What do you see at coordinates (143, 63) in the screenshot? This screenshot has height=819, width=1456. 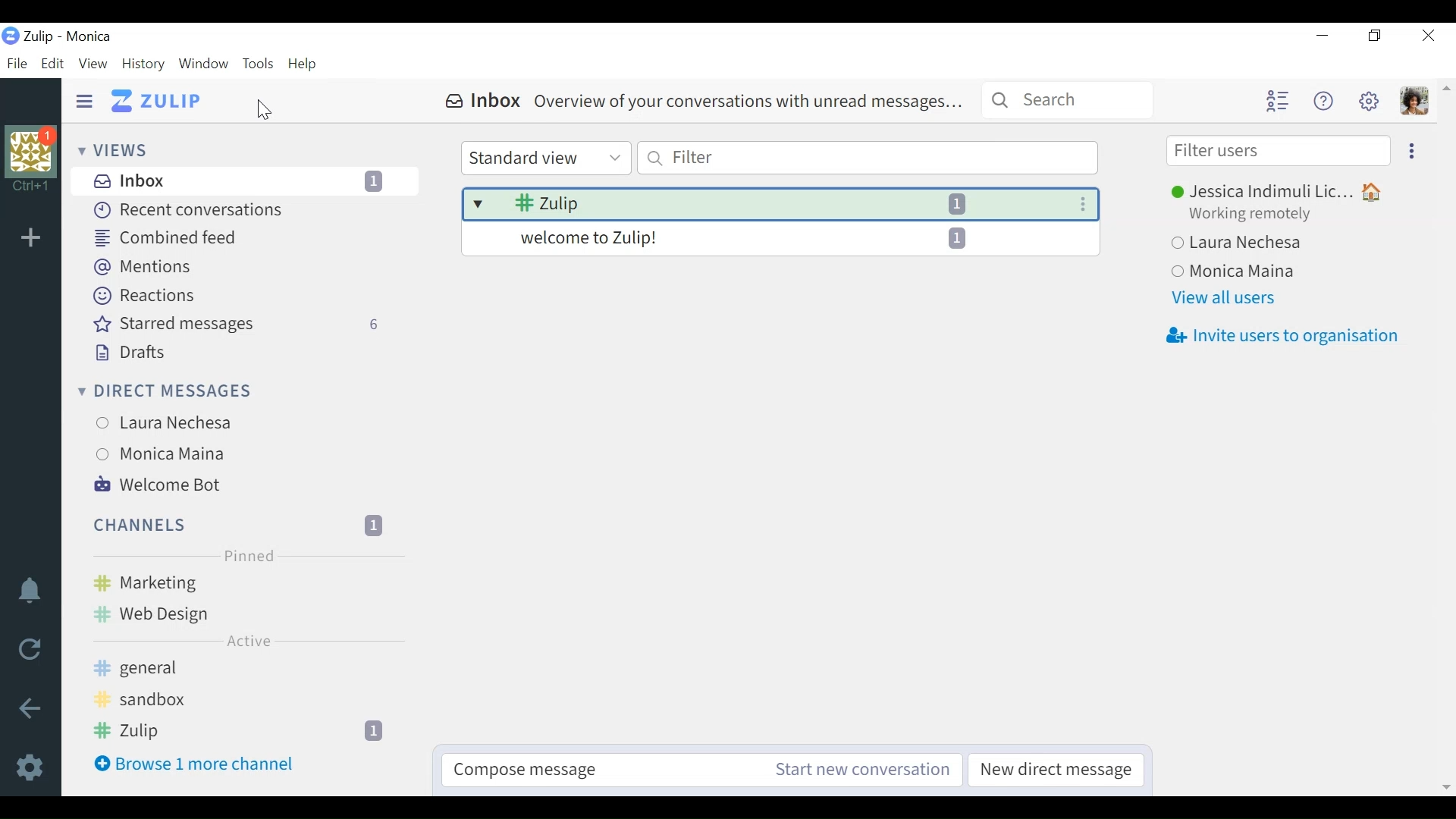 I see `History` at bounding box center [143, 63].